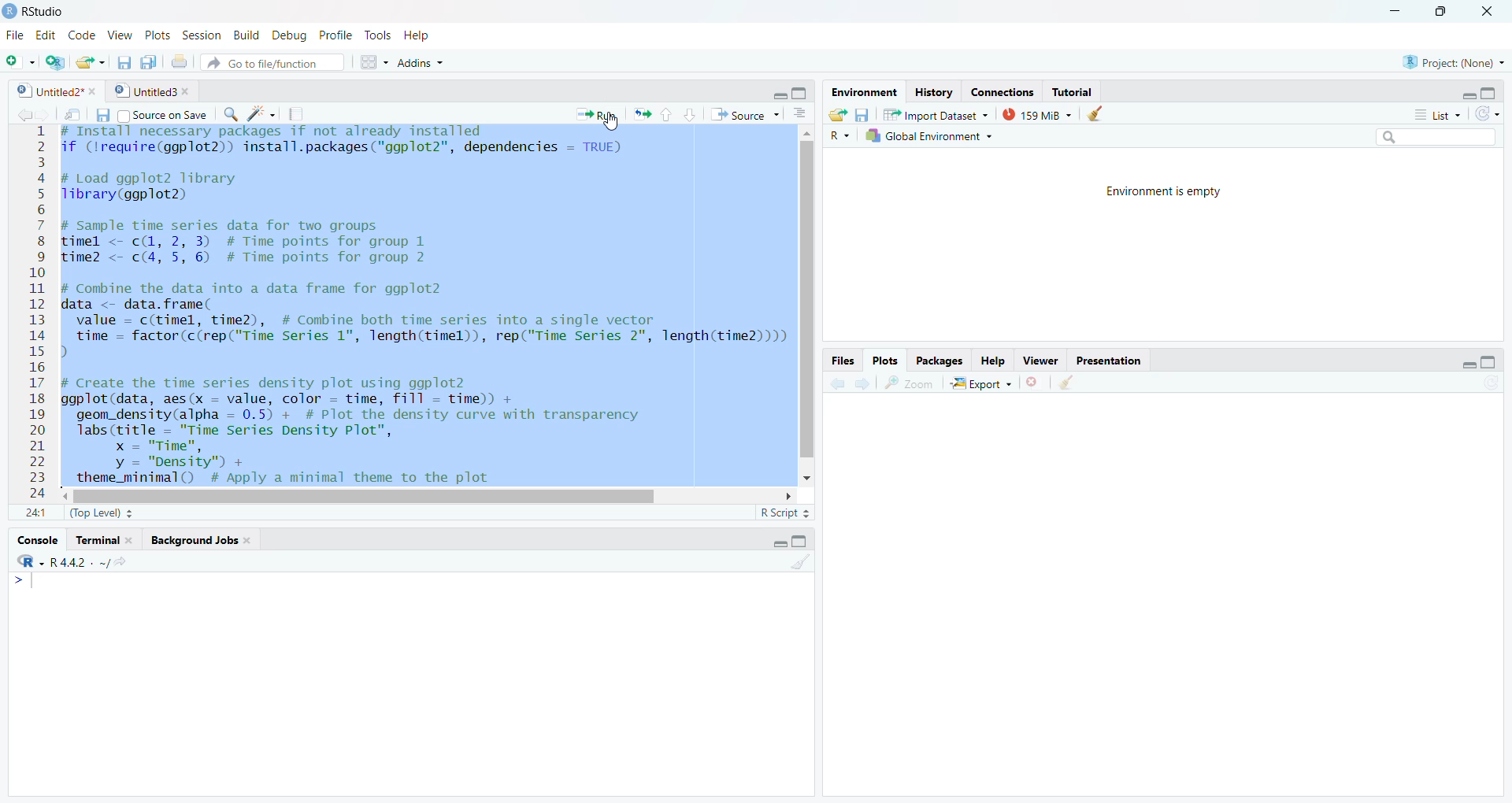 This screenshot has height=803, width=1512. Describe the element at coordinates (42, 115) in the screenshot. I see `Forward` at that location.